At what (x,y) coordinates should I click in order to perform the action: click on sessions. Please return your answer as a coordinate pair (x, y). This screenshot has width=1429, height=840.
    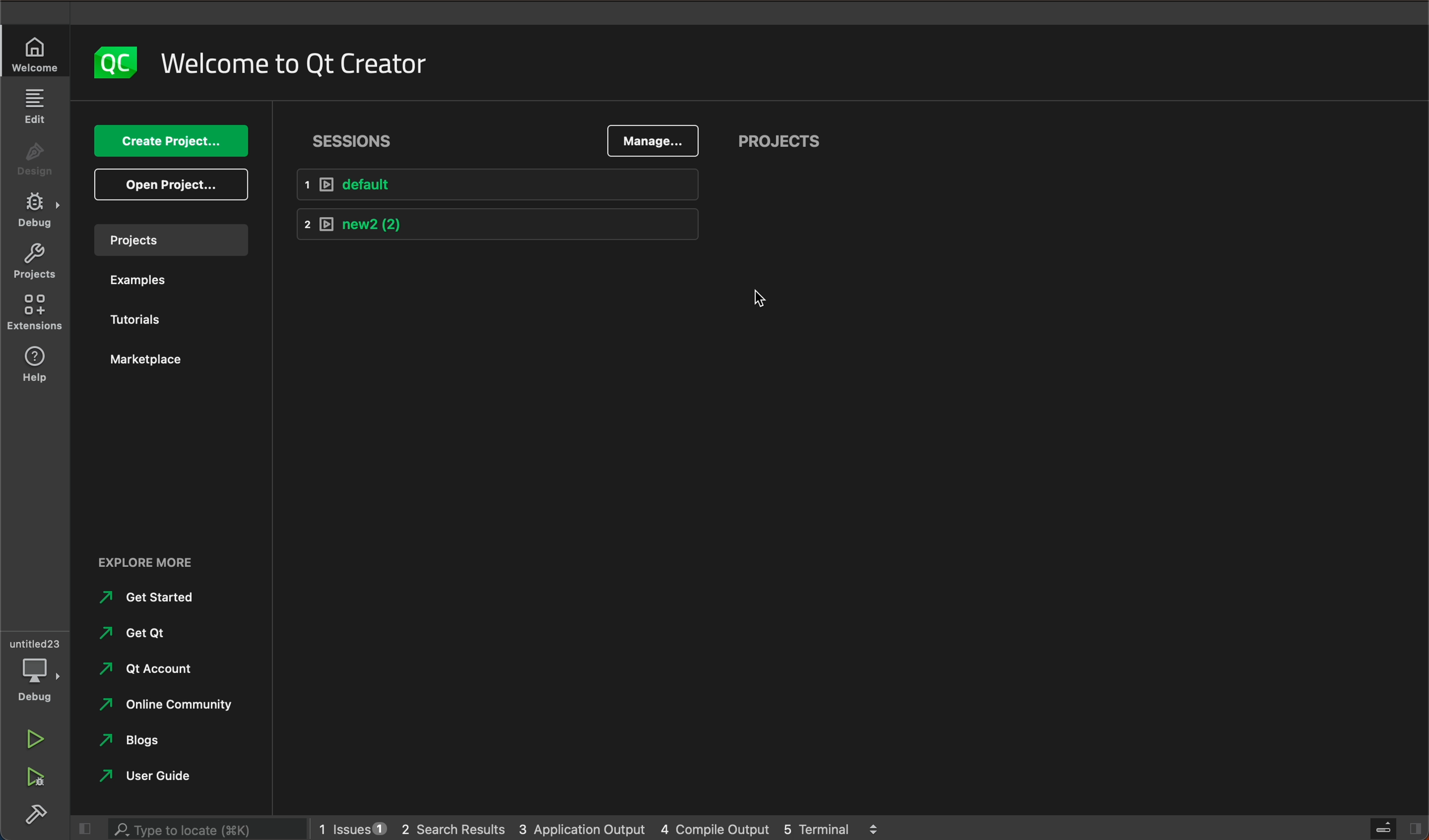
    Looking at the image, I should click on (358, 139).